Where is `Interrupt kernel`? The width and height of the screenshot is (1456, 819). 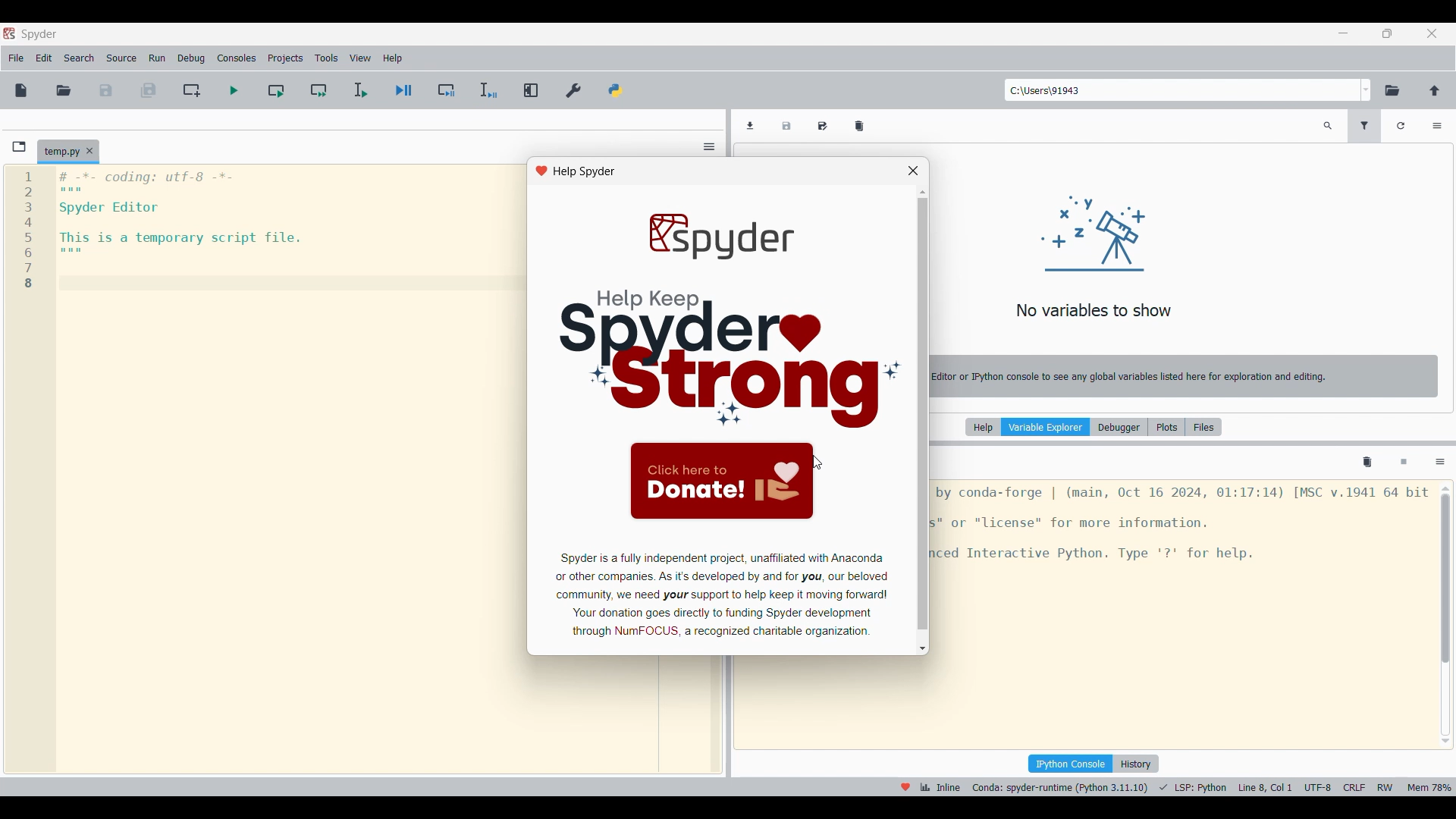
Interrupt kernel is located at coordinates (1404, 463).